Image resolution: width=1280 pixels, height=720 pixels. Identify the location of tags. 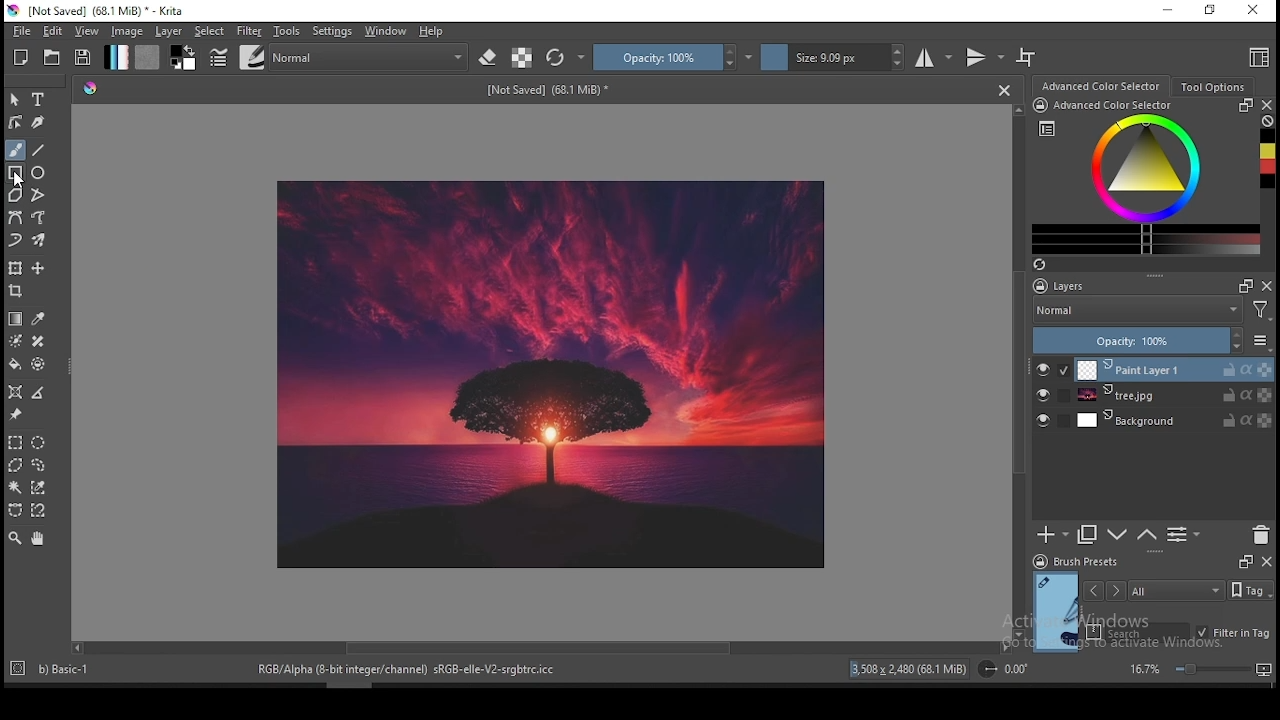
(1177, 590).